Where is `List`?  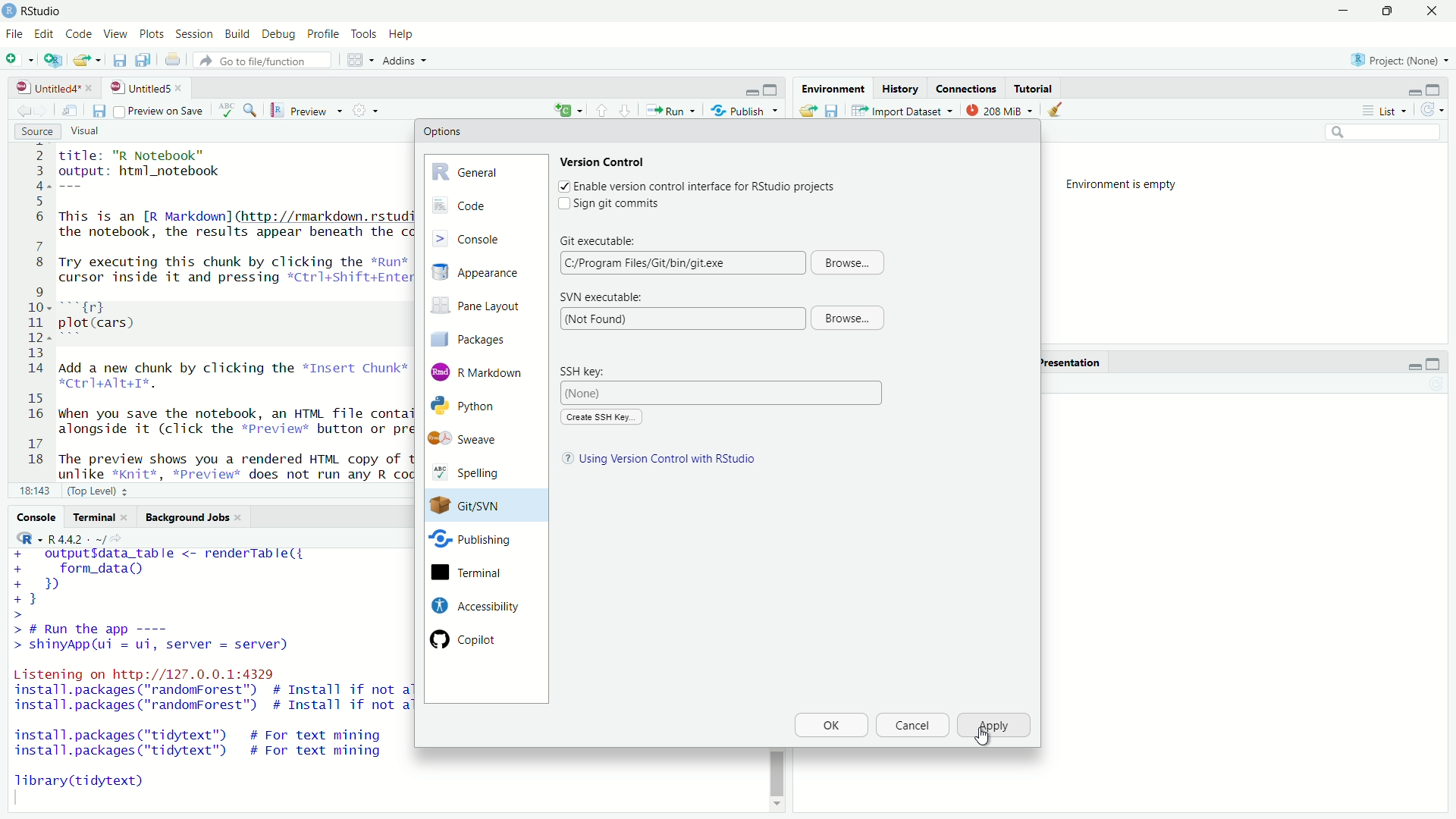 List is located at coordinates (1389, 111).